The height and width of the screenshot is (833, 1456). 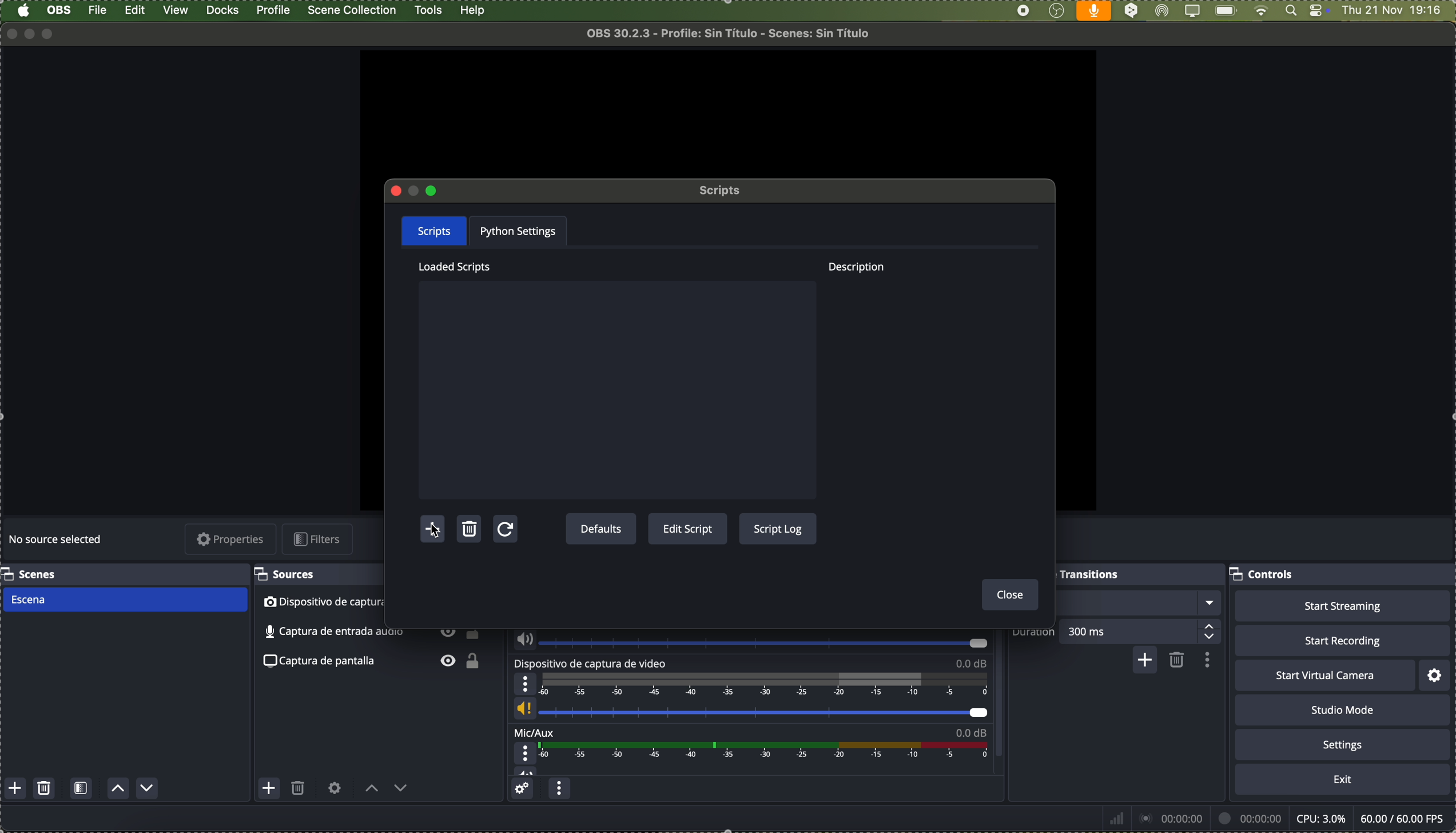 I want to click on remove selected scene, so click(x=45, y=789).